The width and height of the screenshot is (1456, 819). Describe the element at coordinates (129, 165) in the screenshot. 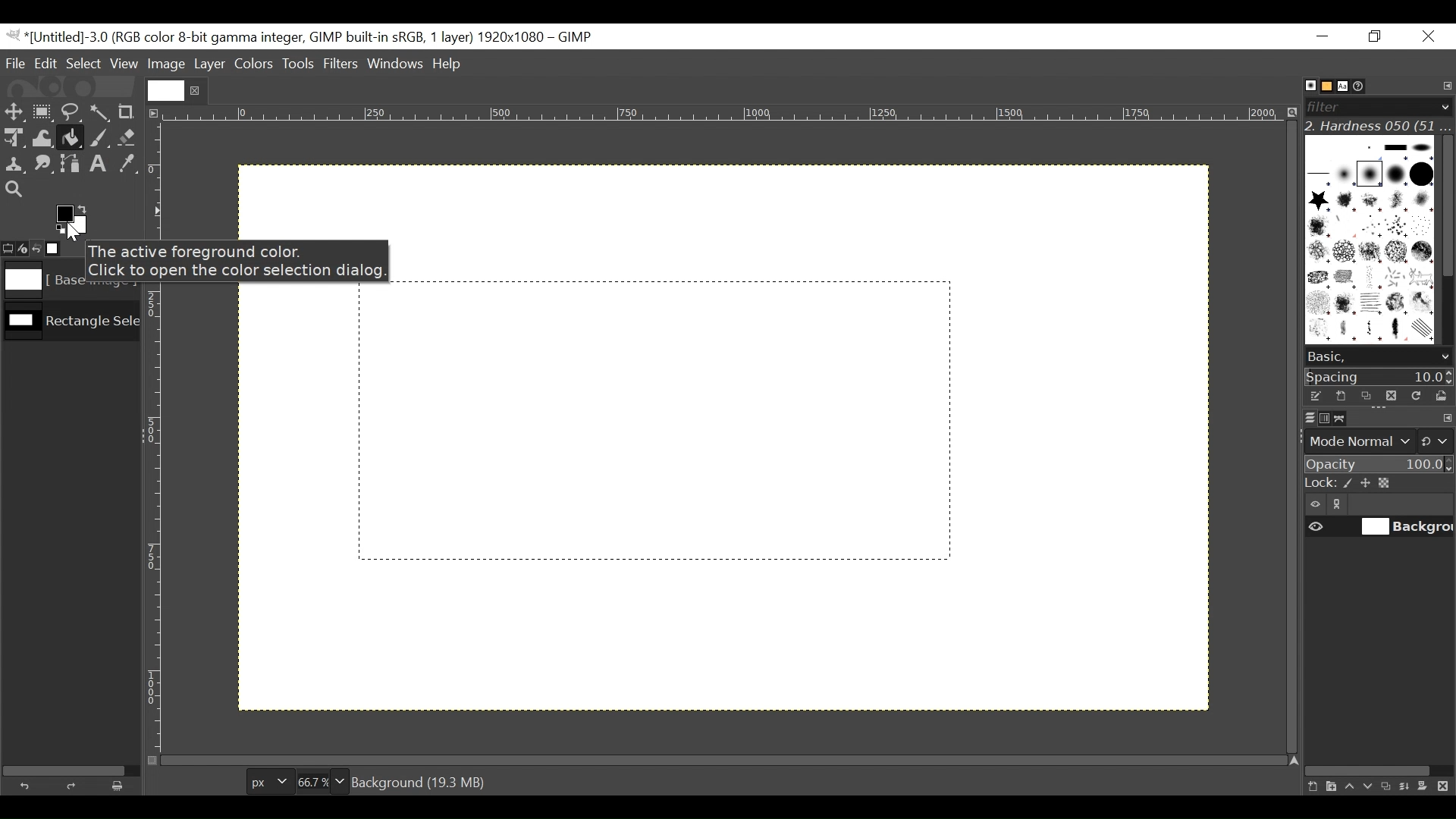

I see `Color picker tool` at that location.